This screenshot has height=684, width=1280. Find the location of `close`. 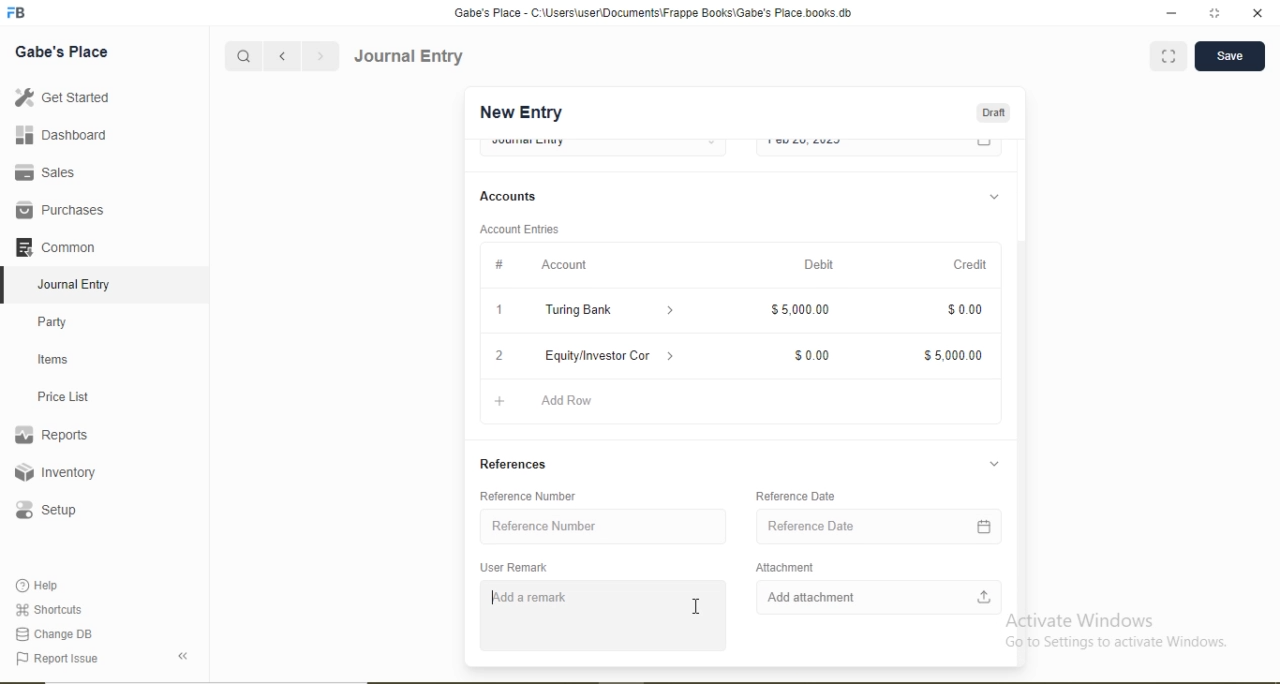

close is located at coordinates (1259, 13).